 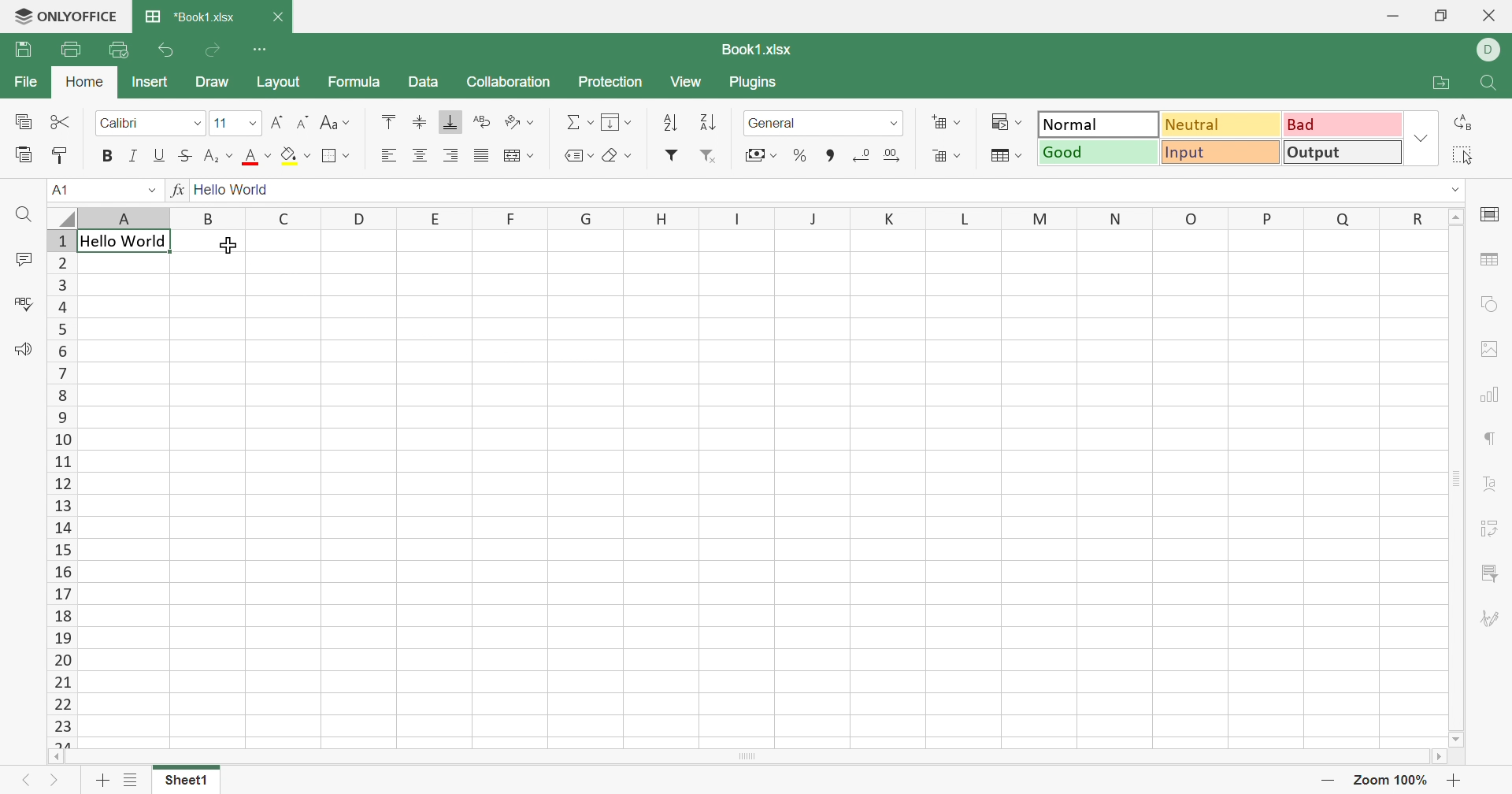 I want to click on Undo, so click(x=170, y=52).